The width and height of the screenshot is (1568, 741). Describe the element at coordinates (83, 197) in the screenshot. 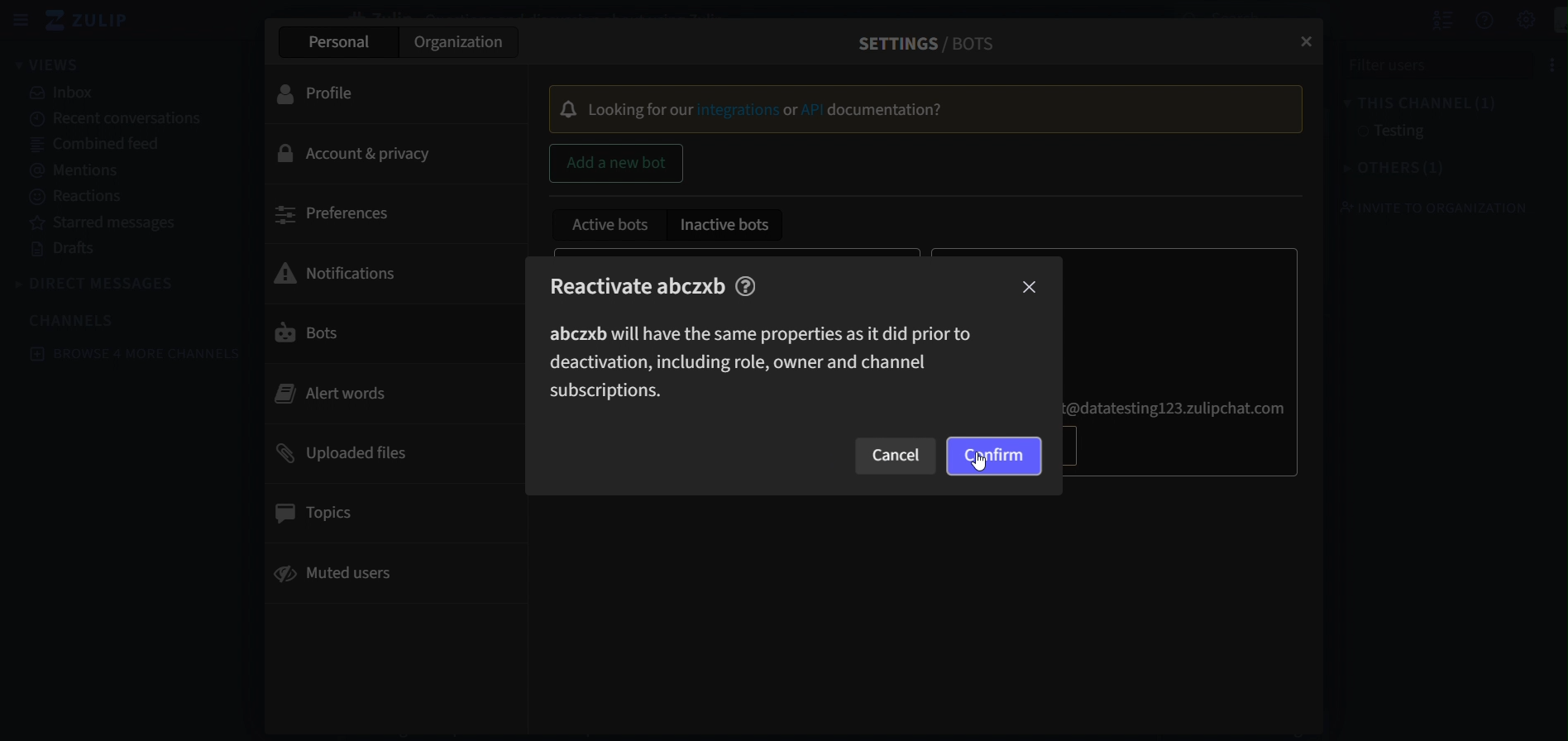

I see `reactions` at that location.